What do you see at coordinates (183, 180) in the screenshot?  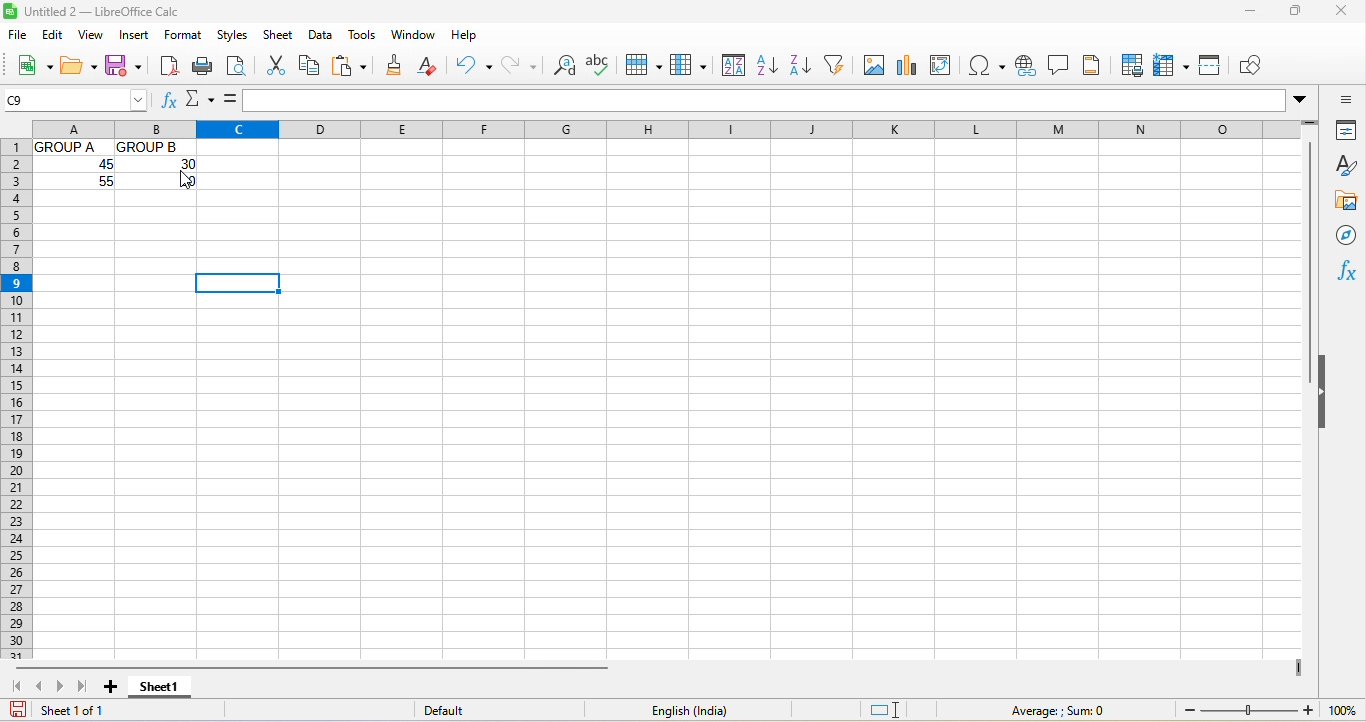 I see `cursor` at bounding box center [183, 180].